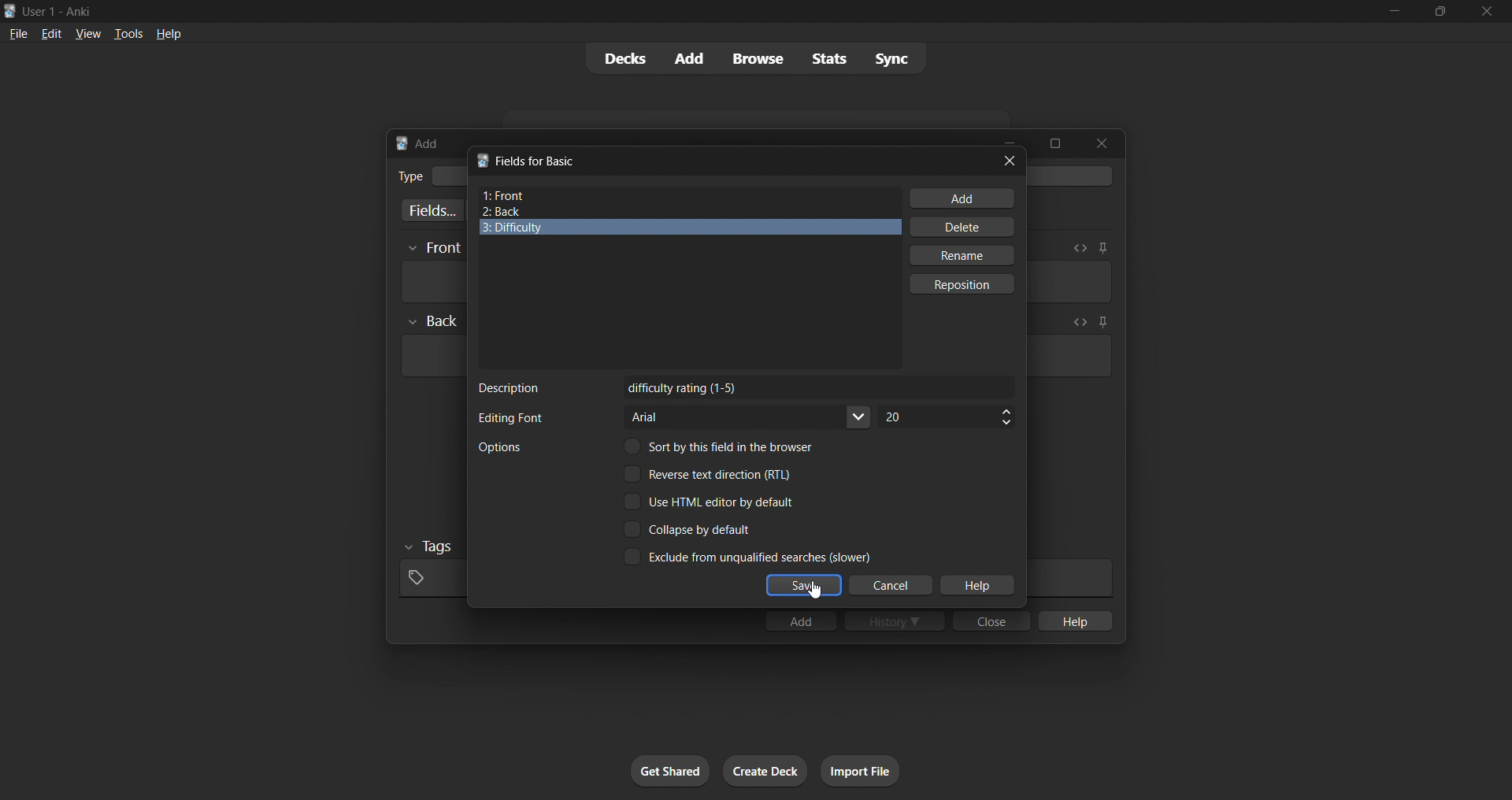 The width and height of the screenshot is (1512, 800). Describe the element at coordinates (1069, 578) in the screenshot. I see `Card tags input` at that location.